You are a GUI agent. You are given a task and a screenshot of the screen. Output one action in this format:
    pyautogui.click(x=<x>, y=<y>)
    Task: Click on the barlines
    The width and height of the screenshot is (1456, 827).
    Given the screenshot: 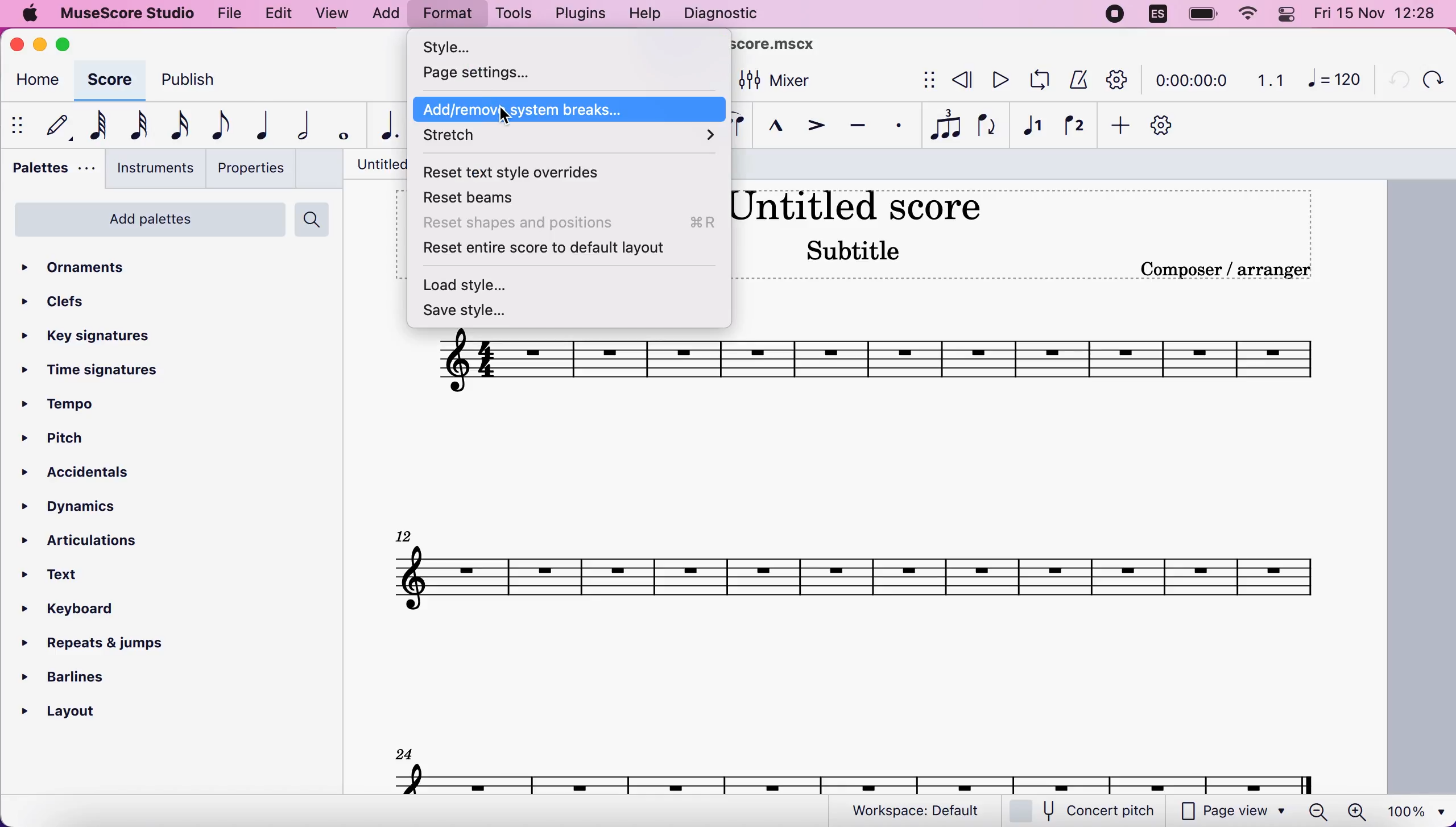 What is the action you would take?
    pyautogui.click(x=94, y=673)
    